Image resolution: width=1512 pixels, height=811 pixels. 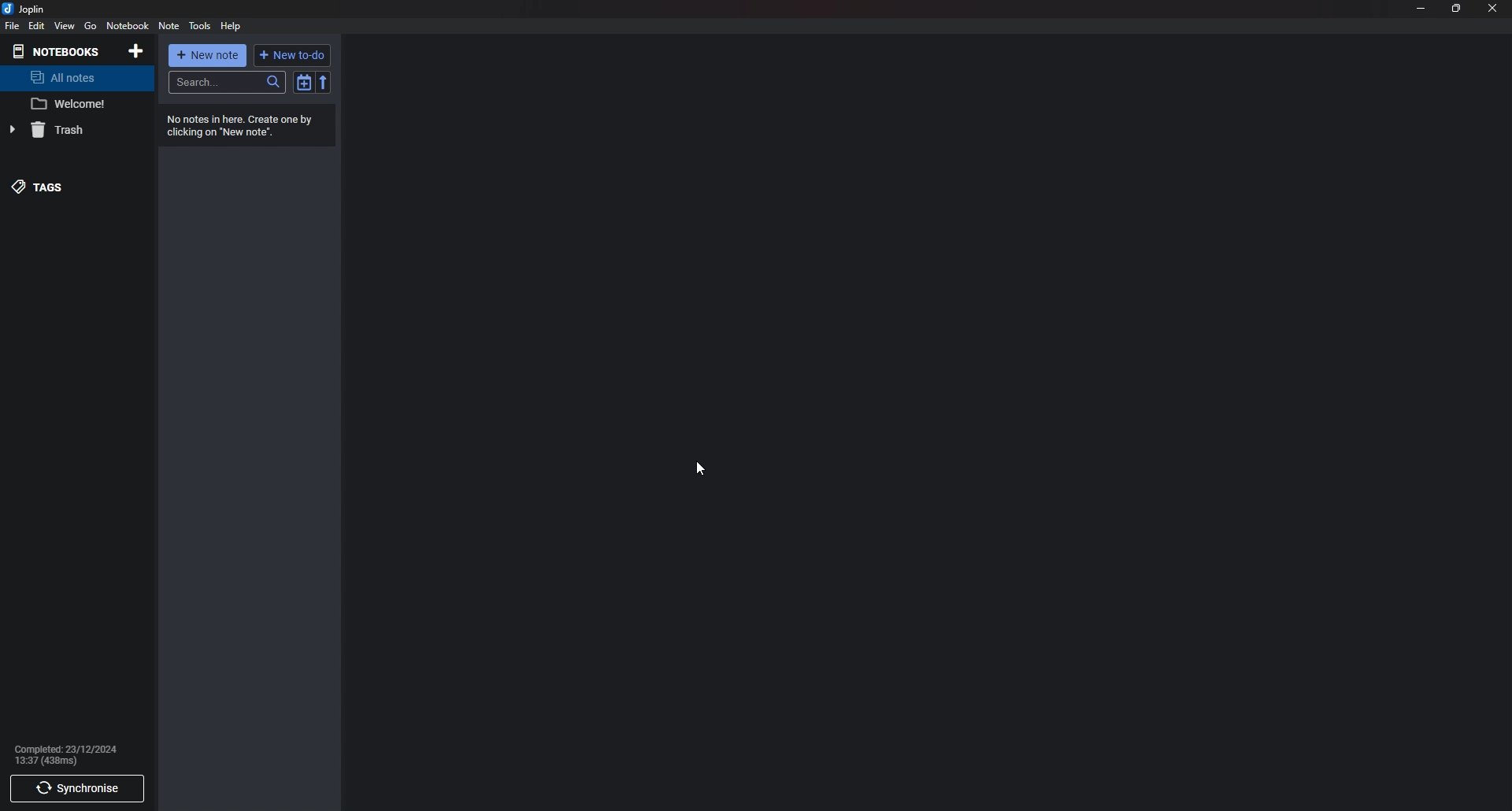 I want to click on note, so click(x=169, y=27).